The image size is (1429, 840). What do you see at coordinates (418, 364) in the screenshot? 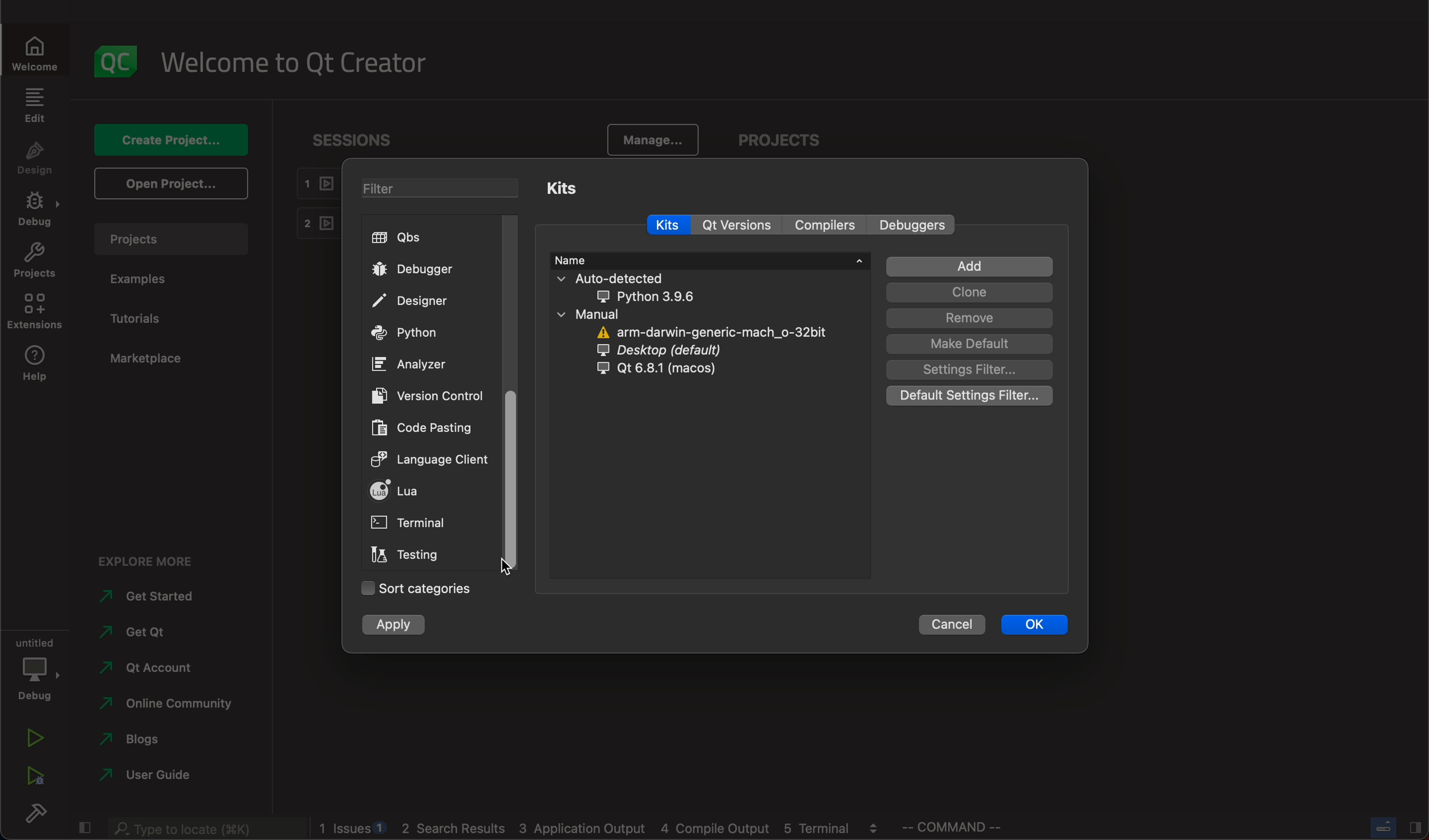
I see `ANALYZER` at bounding box center [418, 364].